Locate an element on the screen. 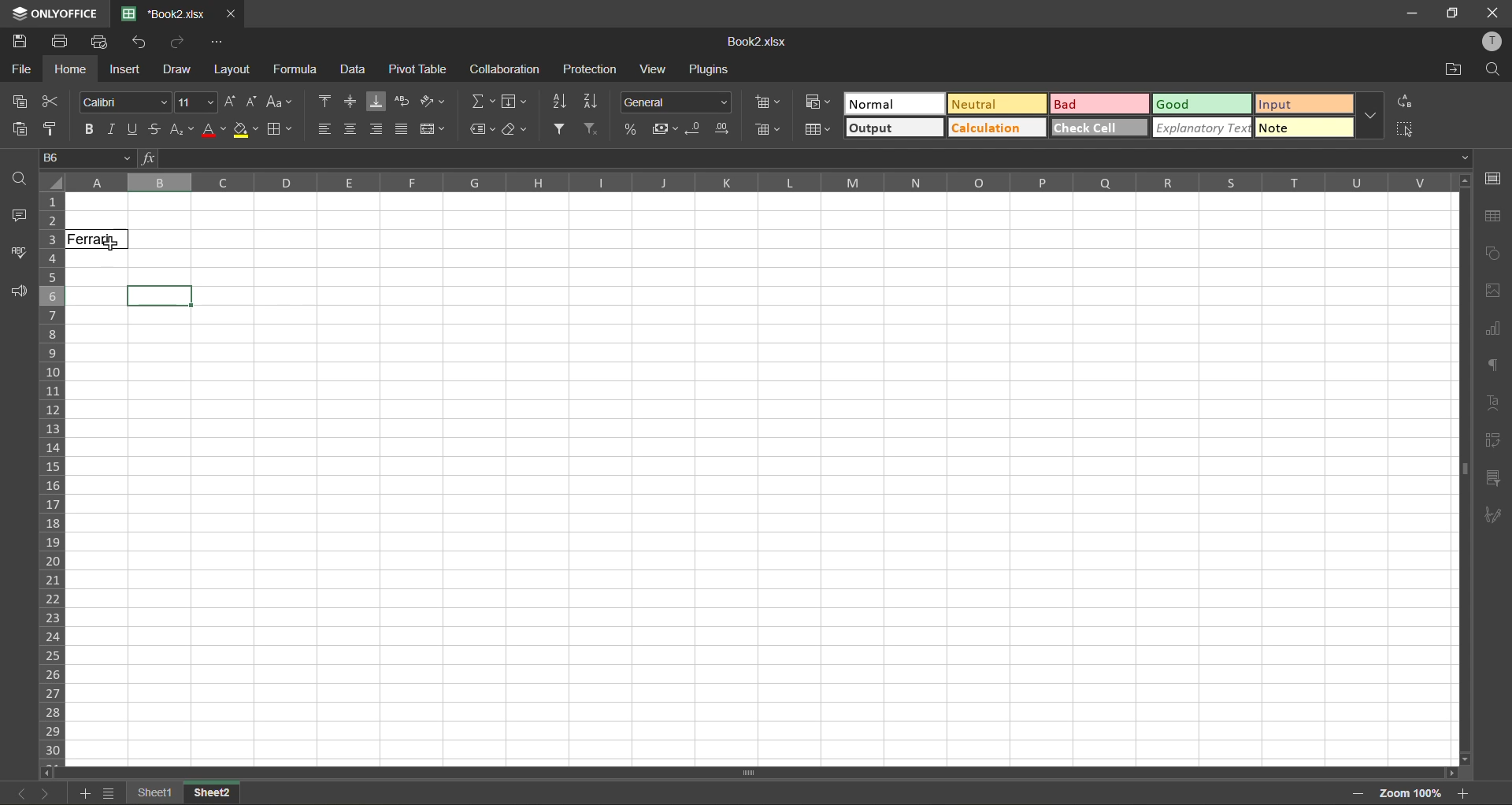  cell settings is located at coordinates (1491, 180).